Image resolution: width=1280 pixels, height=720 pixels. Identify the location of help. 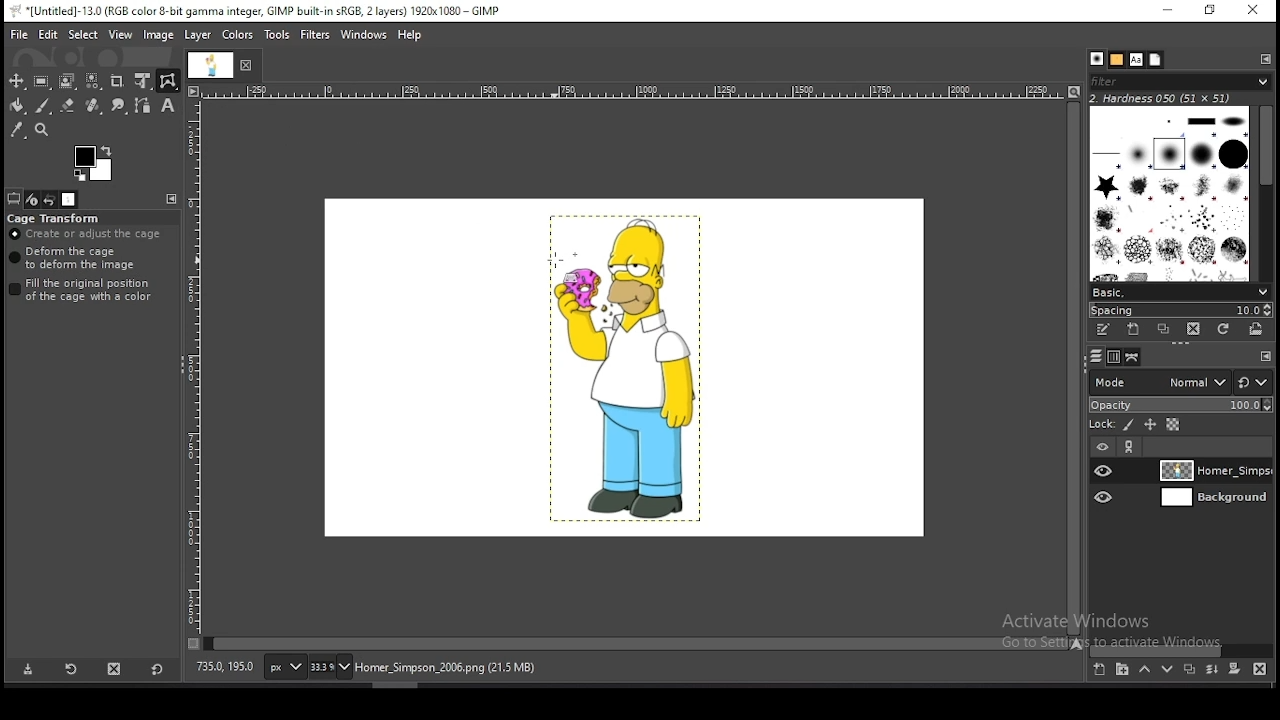
(410, 35).